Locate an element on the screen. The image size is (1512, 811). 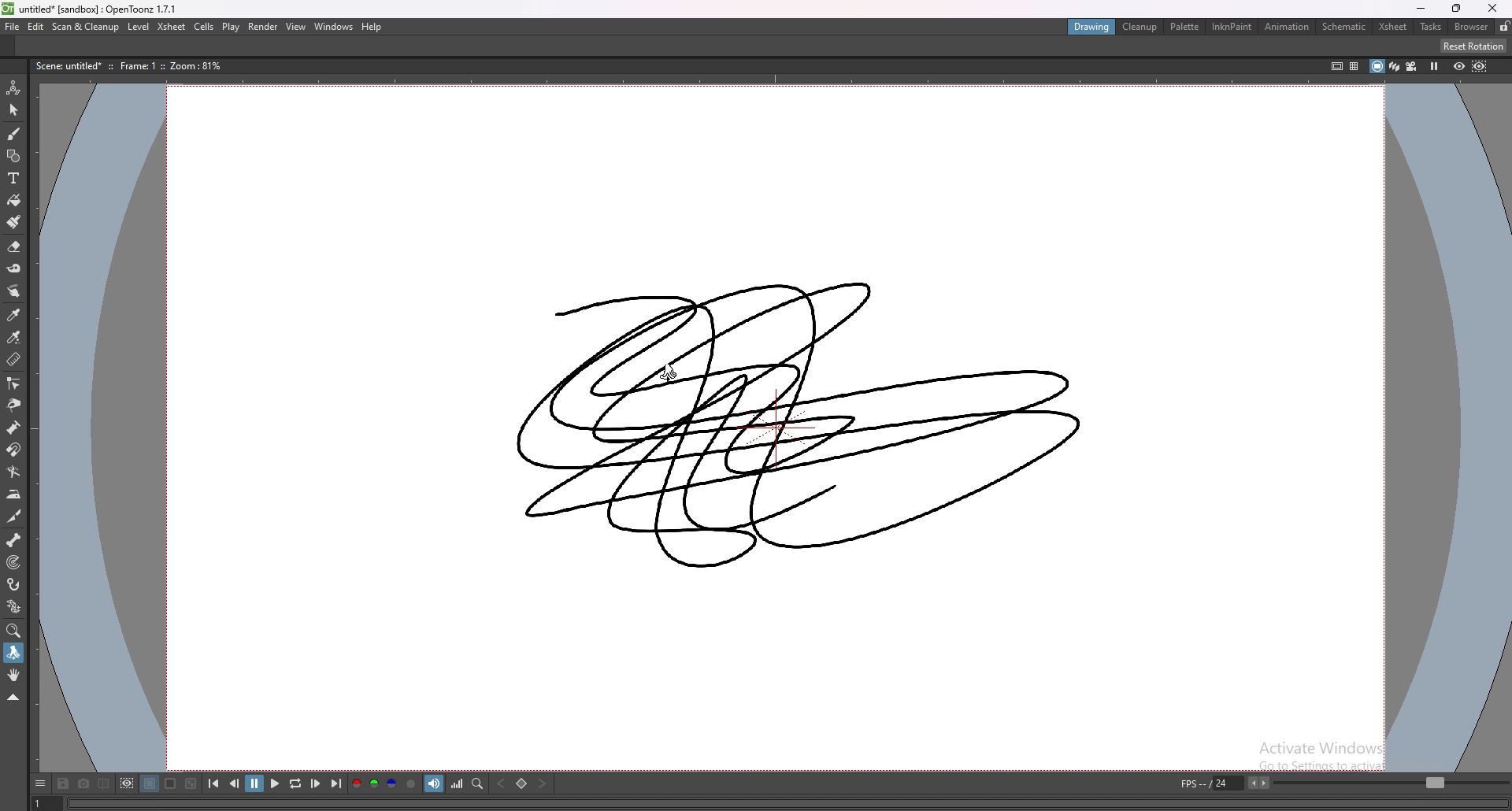
lock is located at coordinates (1505, 27).